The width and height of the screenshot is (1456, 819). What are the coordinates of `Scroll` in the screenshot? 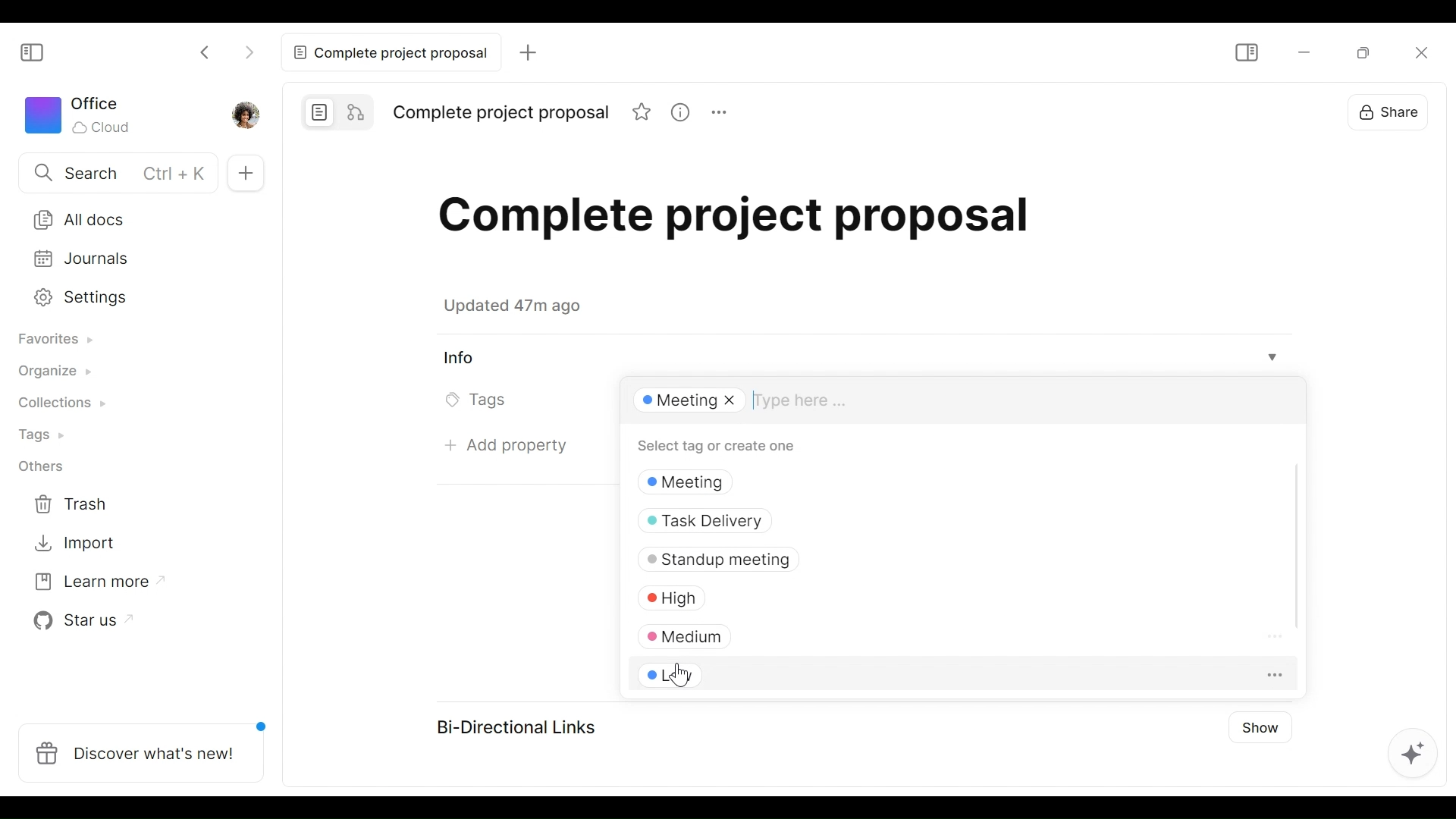 It's located at (1295, 544).